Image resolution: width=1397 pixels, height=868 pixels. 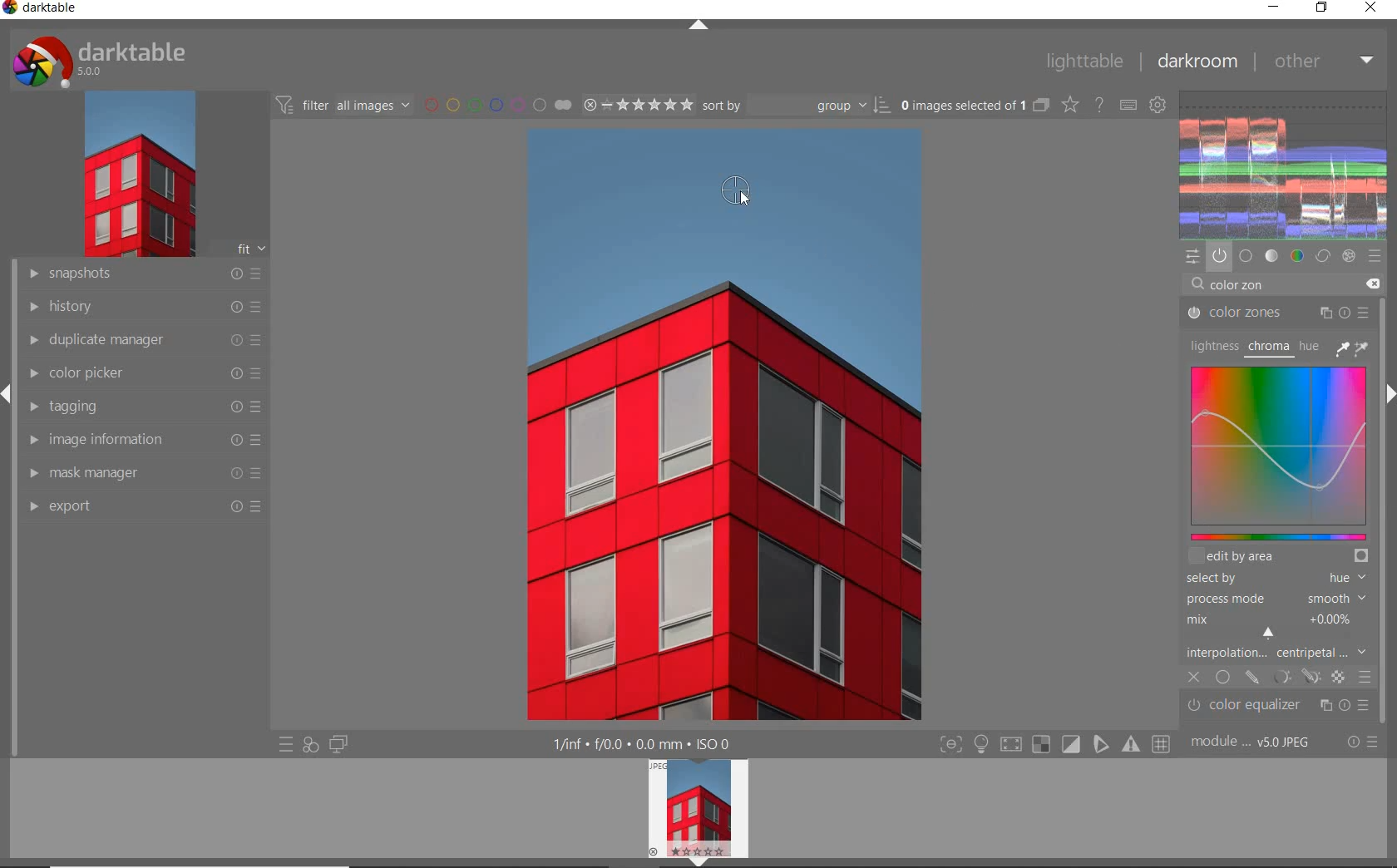 What do you see at coordinates (102, 62) in the screenshot?
I see `system logo & name` at bounding box center [102, 62].